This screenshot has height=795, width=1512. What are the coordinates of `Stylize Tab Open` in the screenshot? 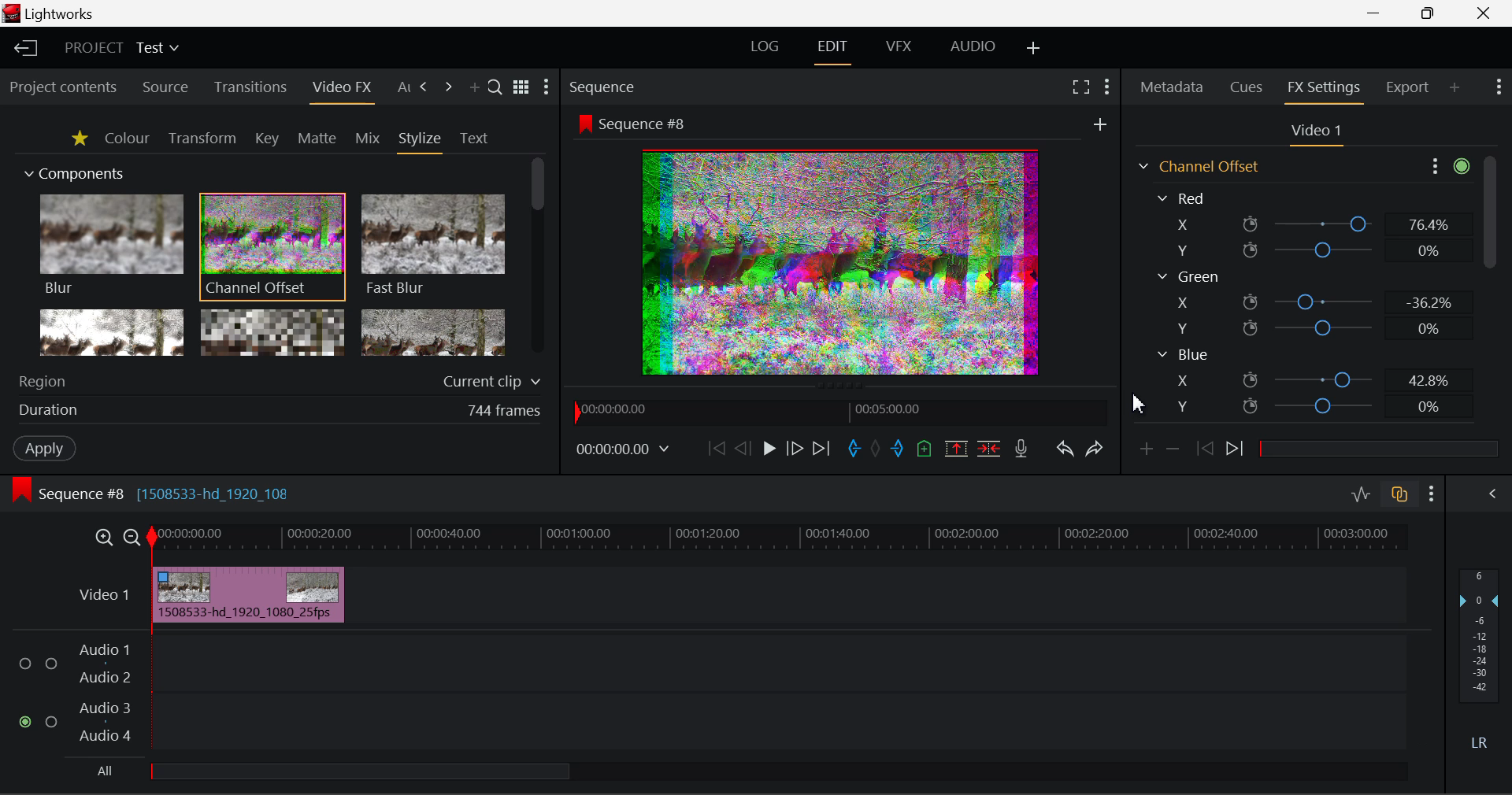 It's located at (419, 142).